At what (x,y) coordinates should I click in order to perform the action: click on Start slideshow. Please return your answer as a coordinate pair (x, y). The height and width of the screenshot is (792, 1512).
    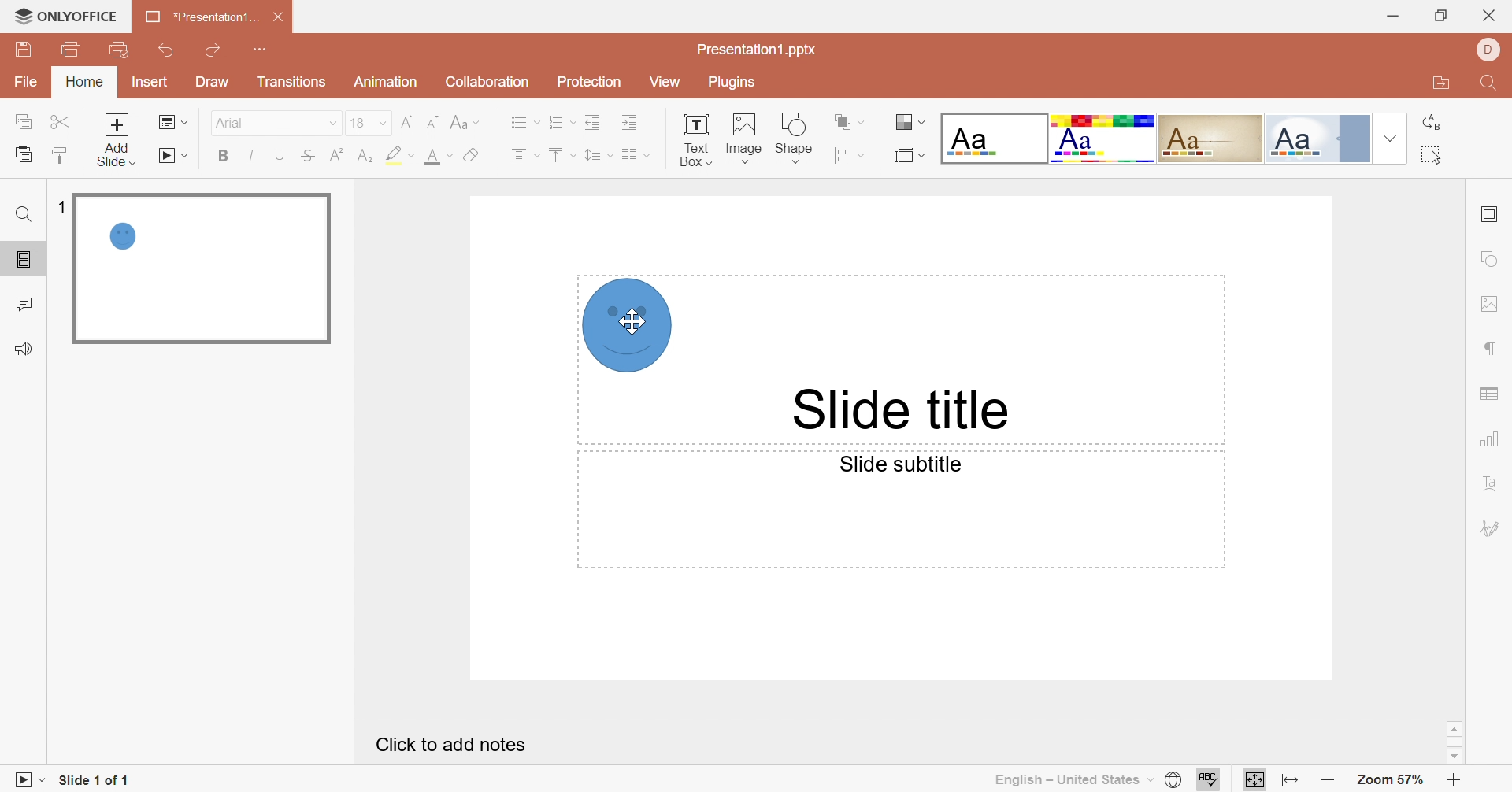
    Looking at the image, I should click on (25, 779).